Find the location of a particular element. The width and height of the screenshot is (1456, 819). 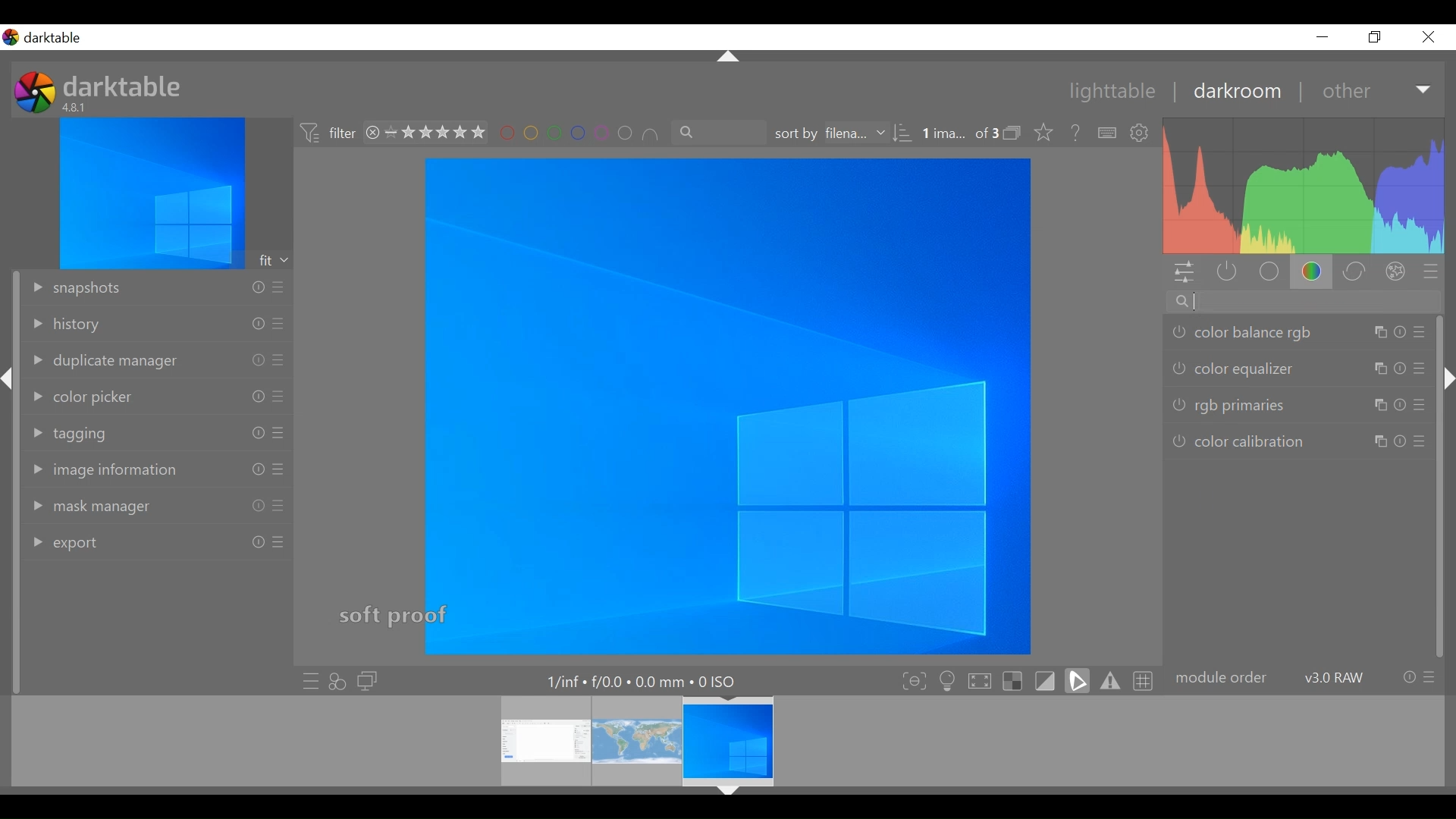

image information is located at coordinates (106, 469).